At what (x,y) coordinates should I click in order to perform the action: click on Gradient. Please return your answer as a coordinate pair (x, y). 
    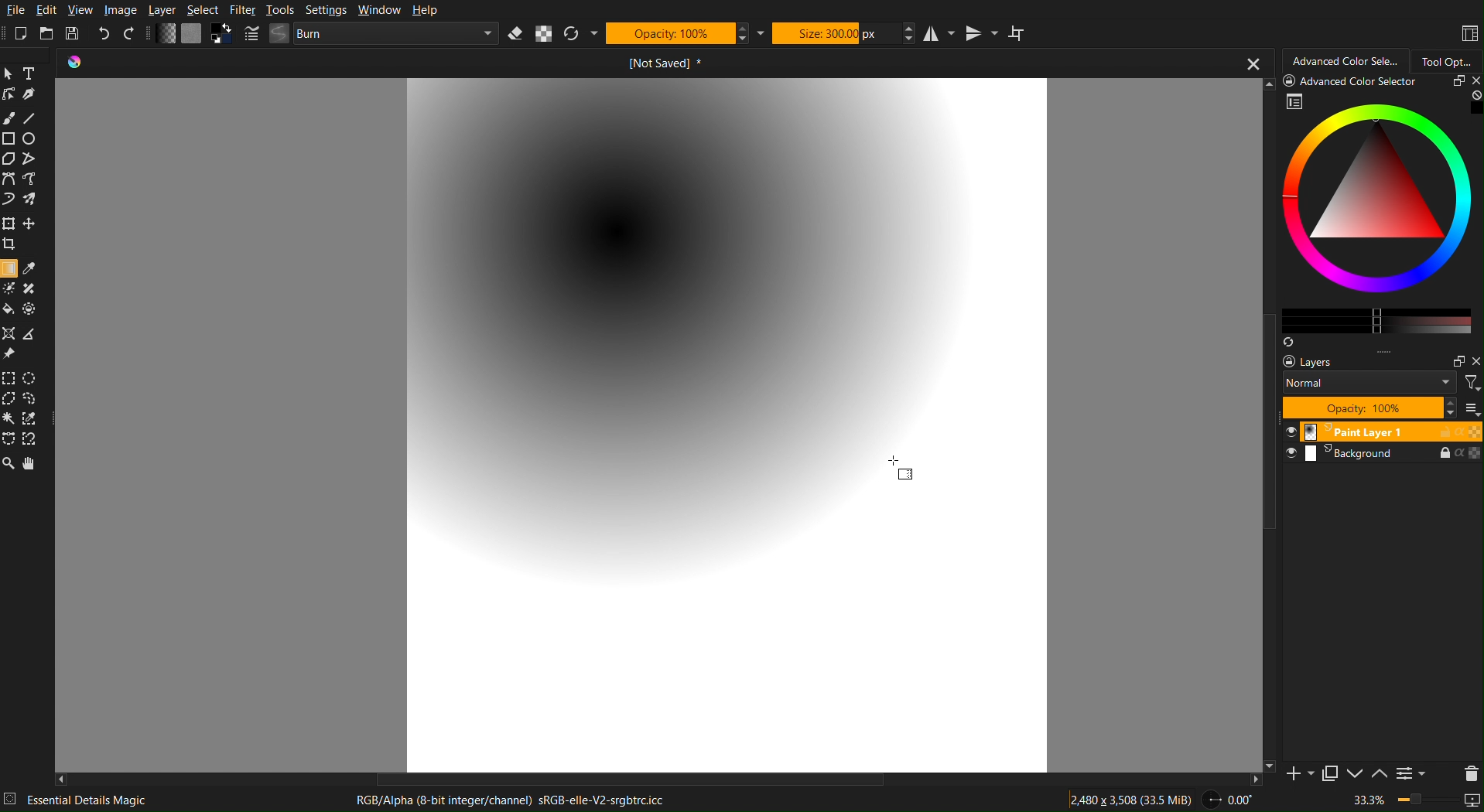
    Looking at the image, I should click on (905, 475).